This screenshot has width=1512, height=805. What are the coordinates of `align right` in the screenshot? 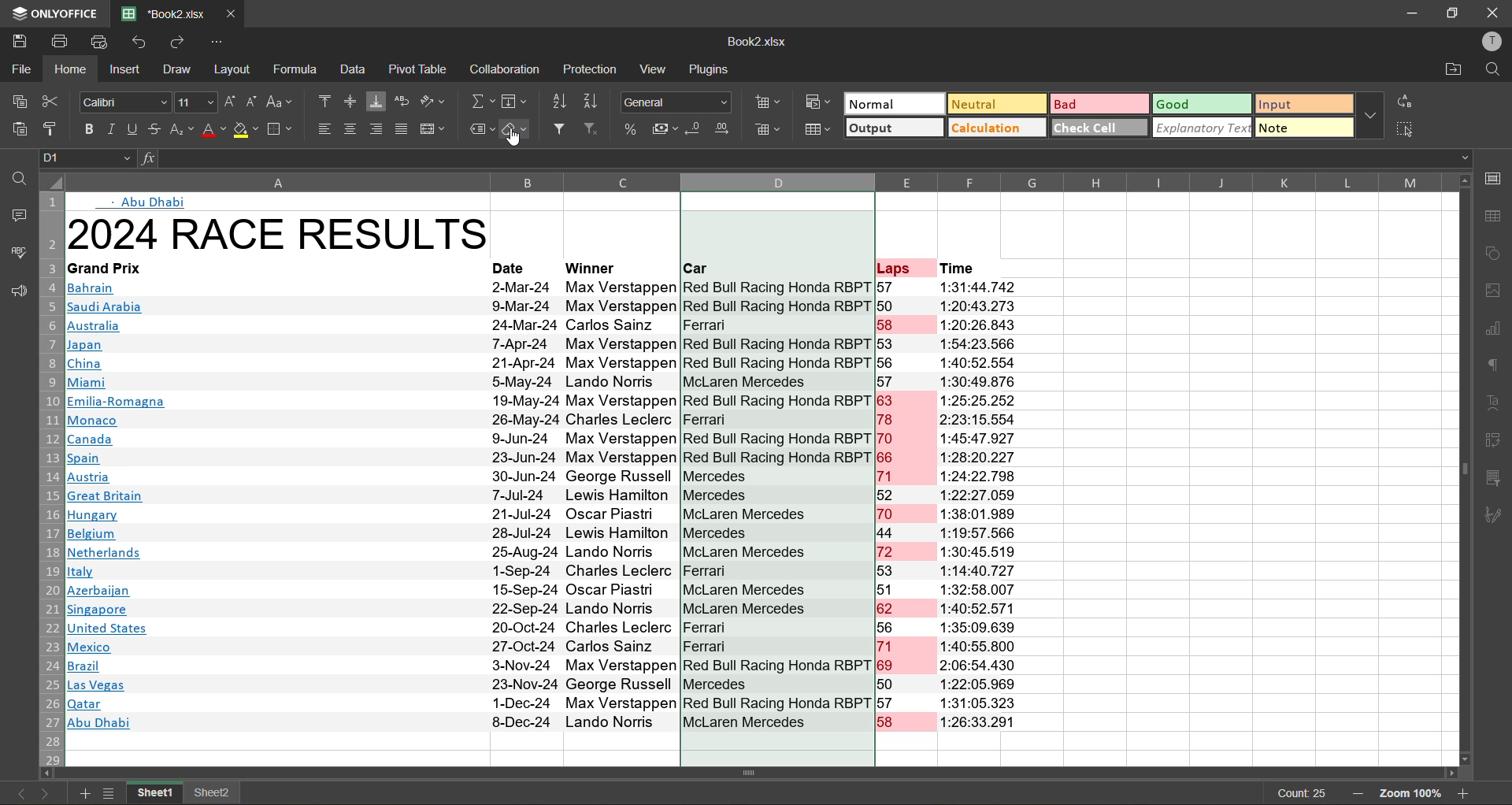 It's located at (375, 129).